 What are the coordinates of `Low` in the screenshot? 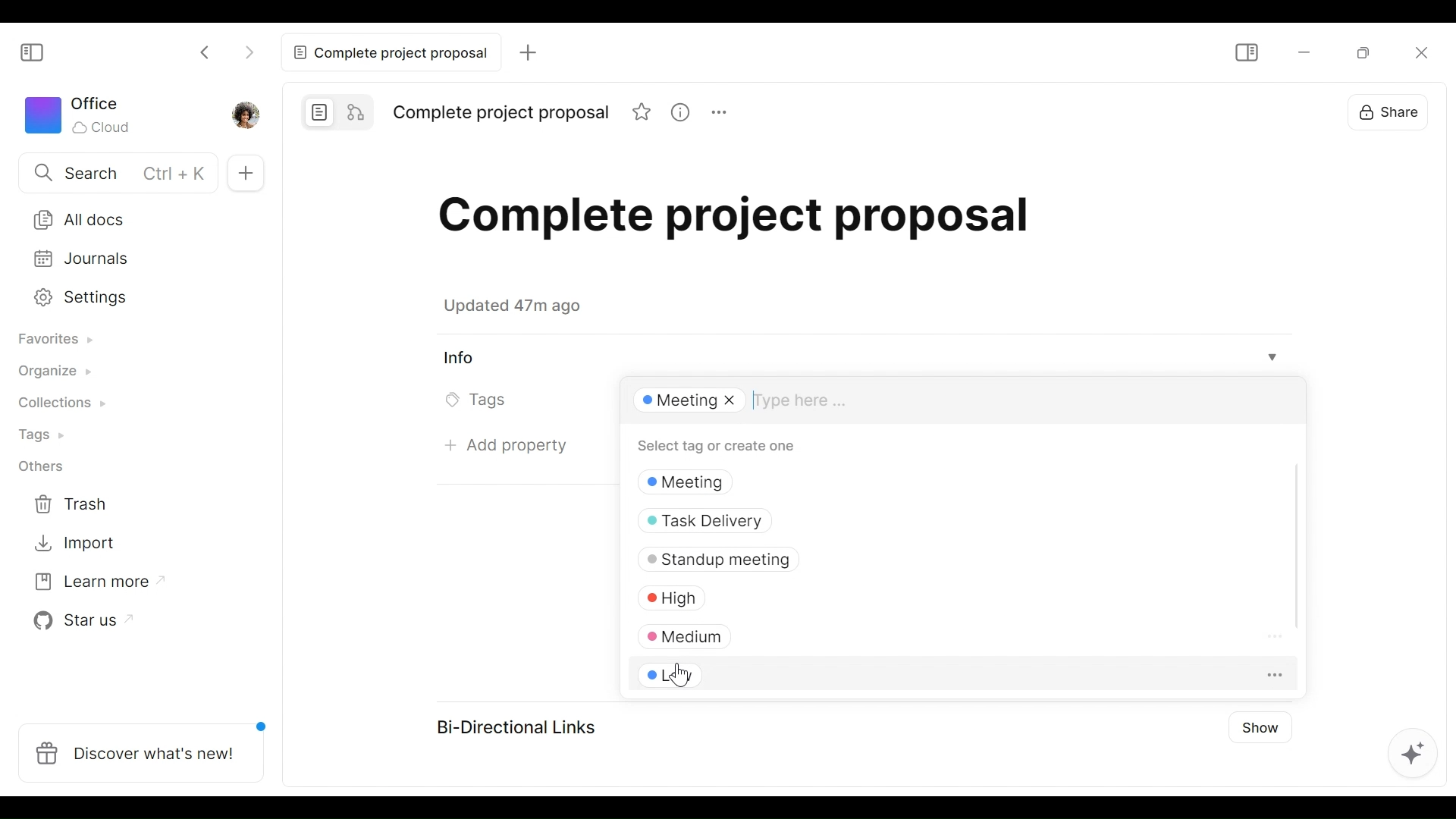 It's located at (733, 671).